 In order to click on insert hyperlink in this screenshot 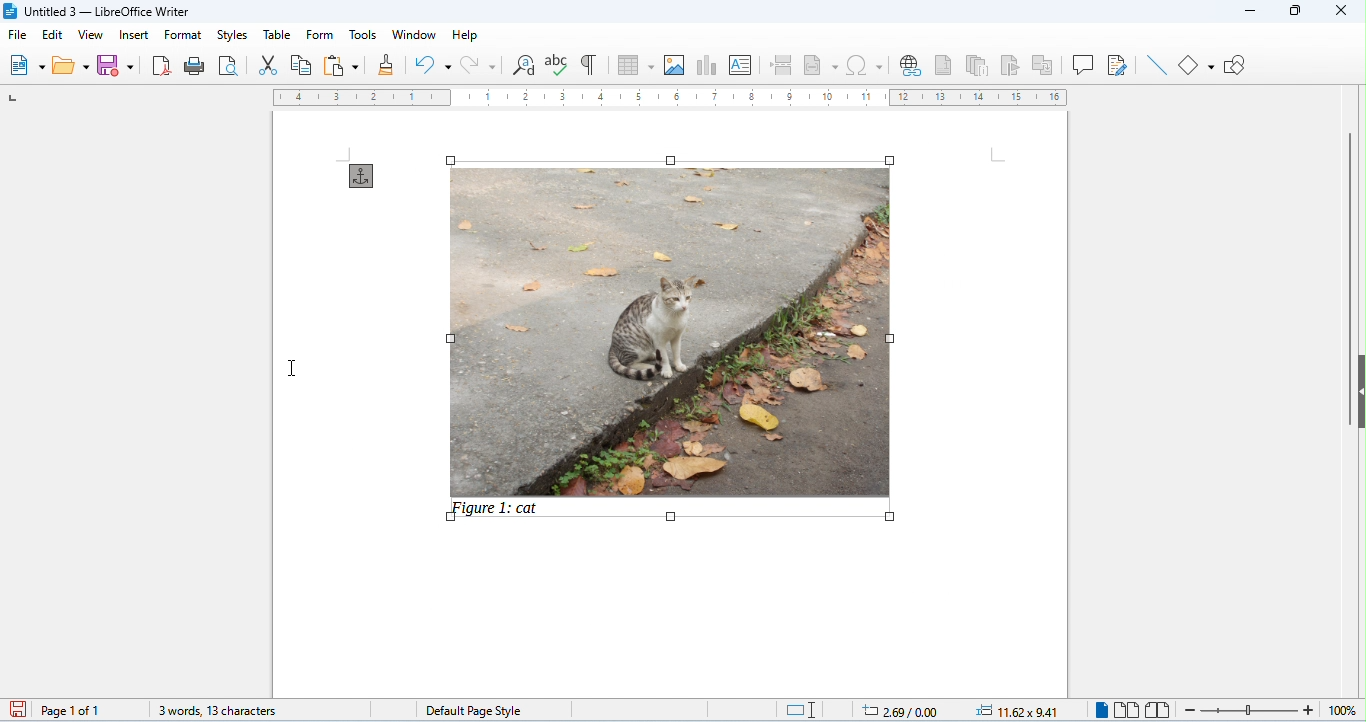, I will do `click(911, 67)`.